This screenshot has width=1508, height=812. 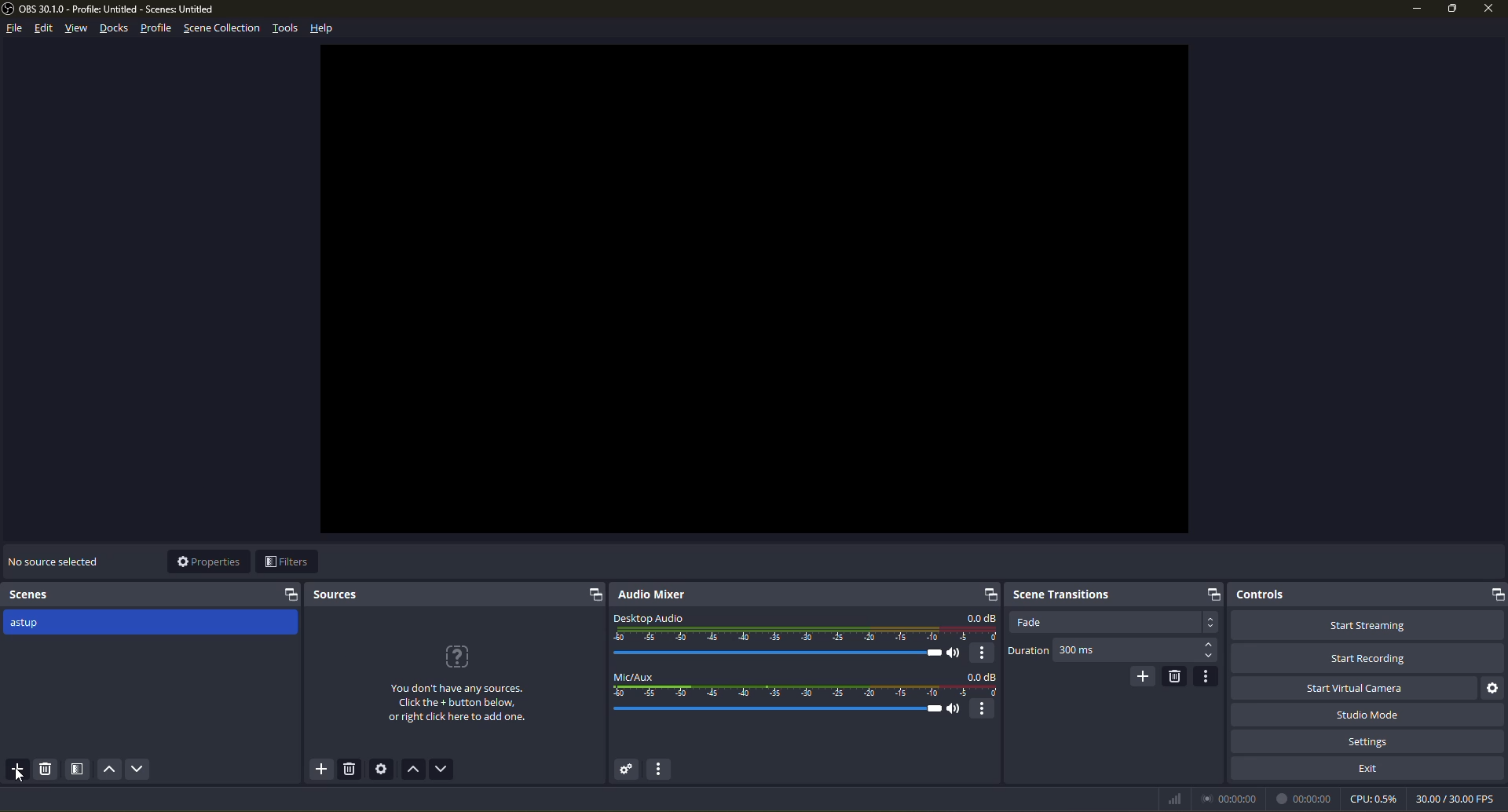 What do you see at coordinates (1368, 657) in the screenshot?
I see `start recording` at bounding box center [1368, 657].